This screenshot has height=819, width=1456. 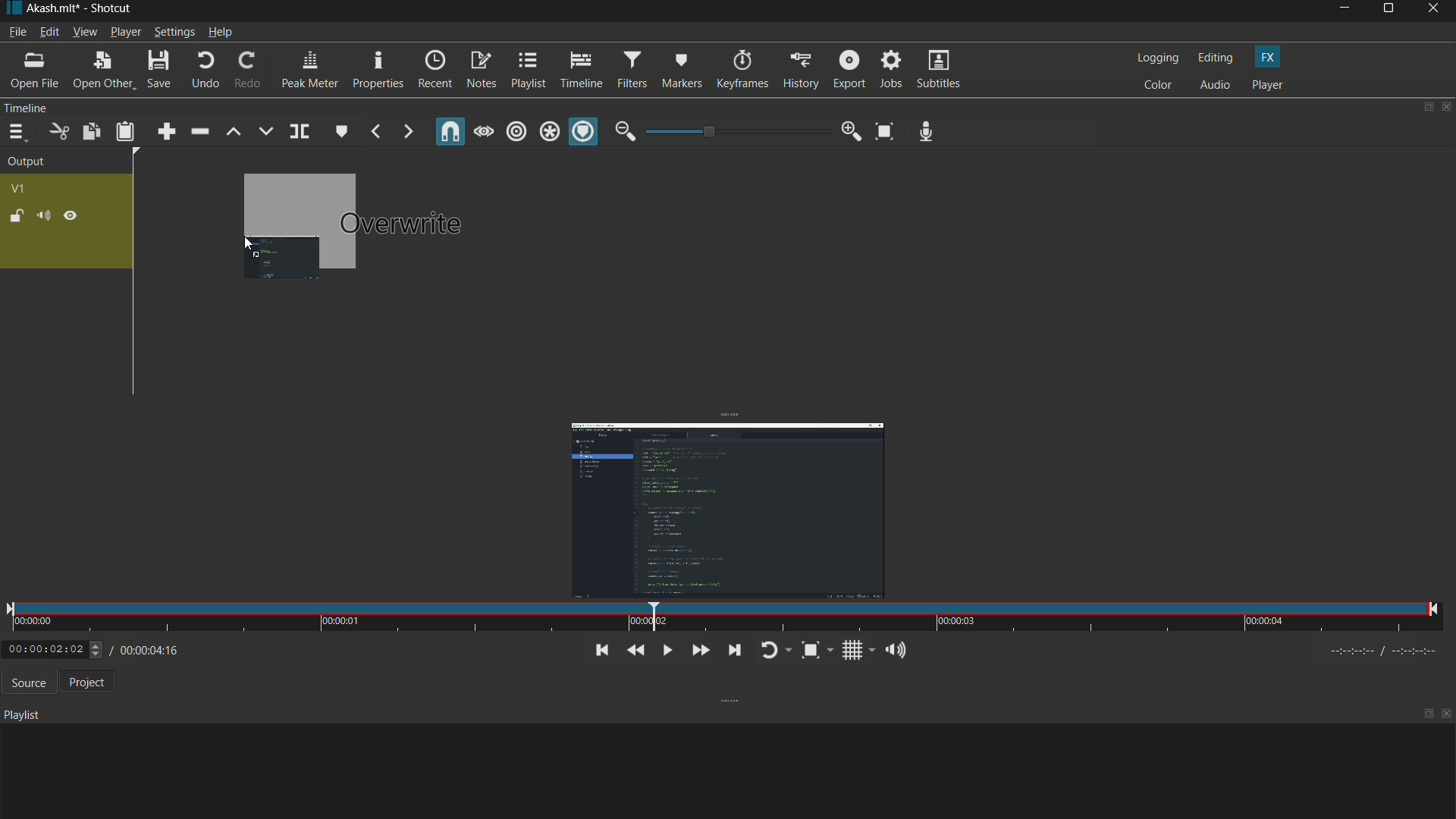 What do you see at coordinates (549, 133) in the screenshot?
I see `ripple all tracks` at bounding box center [549, 133].